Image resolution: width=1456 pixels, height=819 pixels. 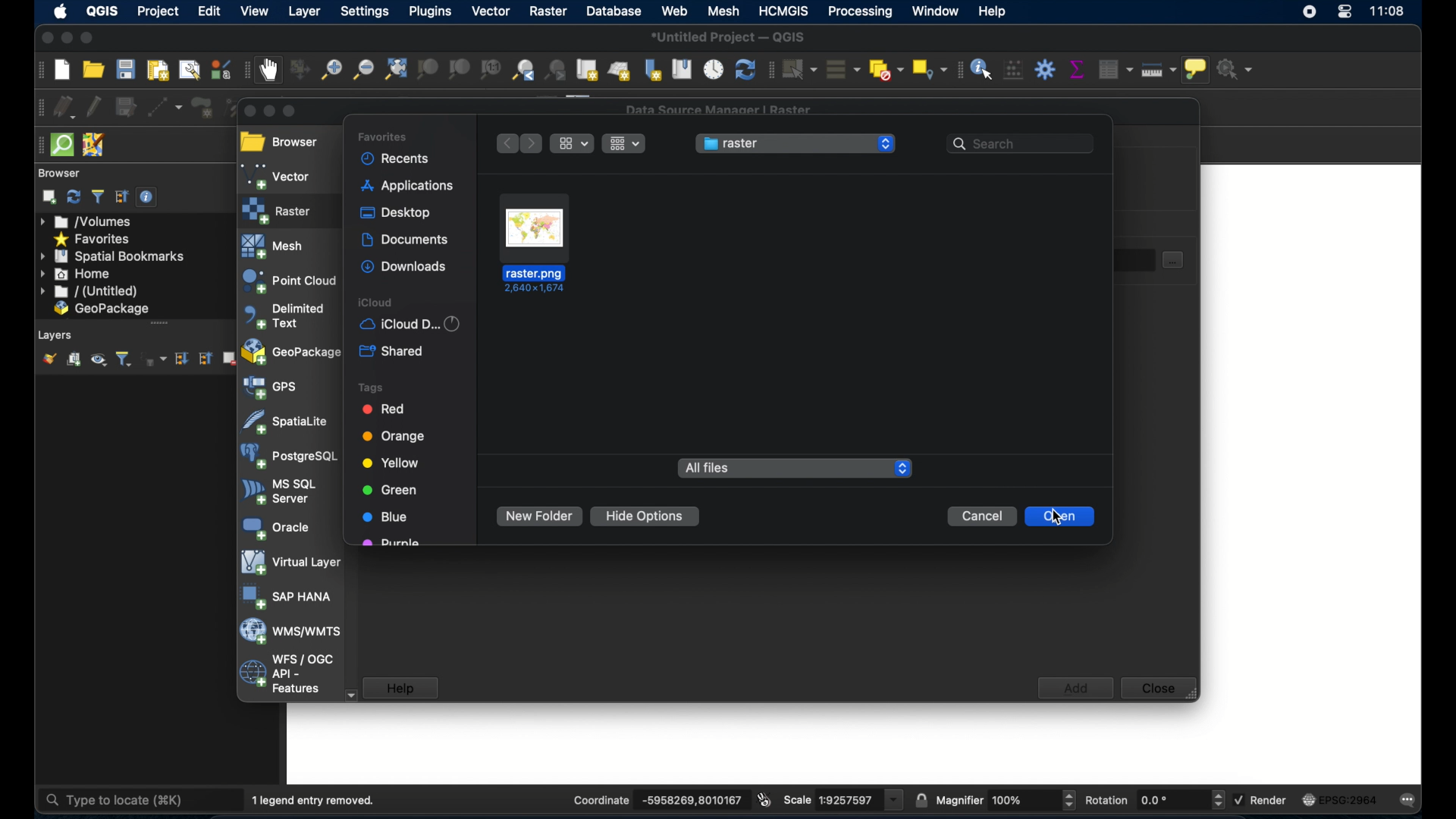 What do you see at coordinates (507, 143) in the screenshot?
I see `previous` at bounding box center [507, 143].